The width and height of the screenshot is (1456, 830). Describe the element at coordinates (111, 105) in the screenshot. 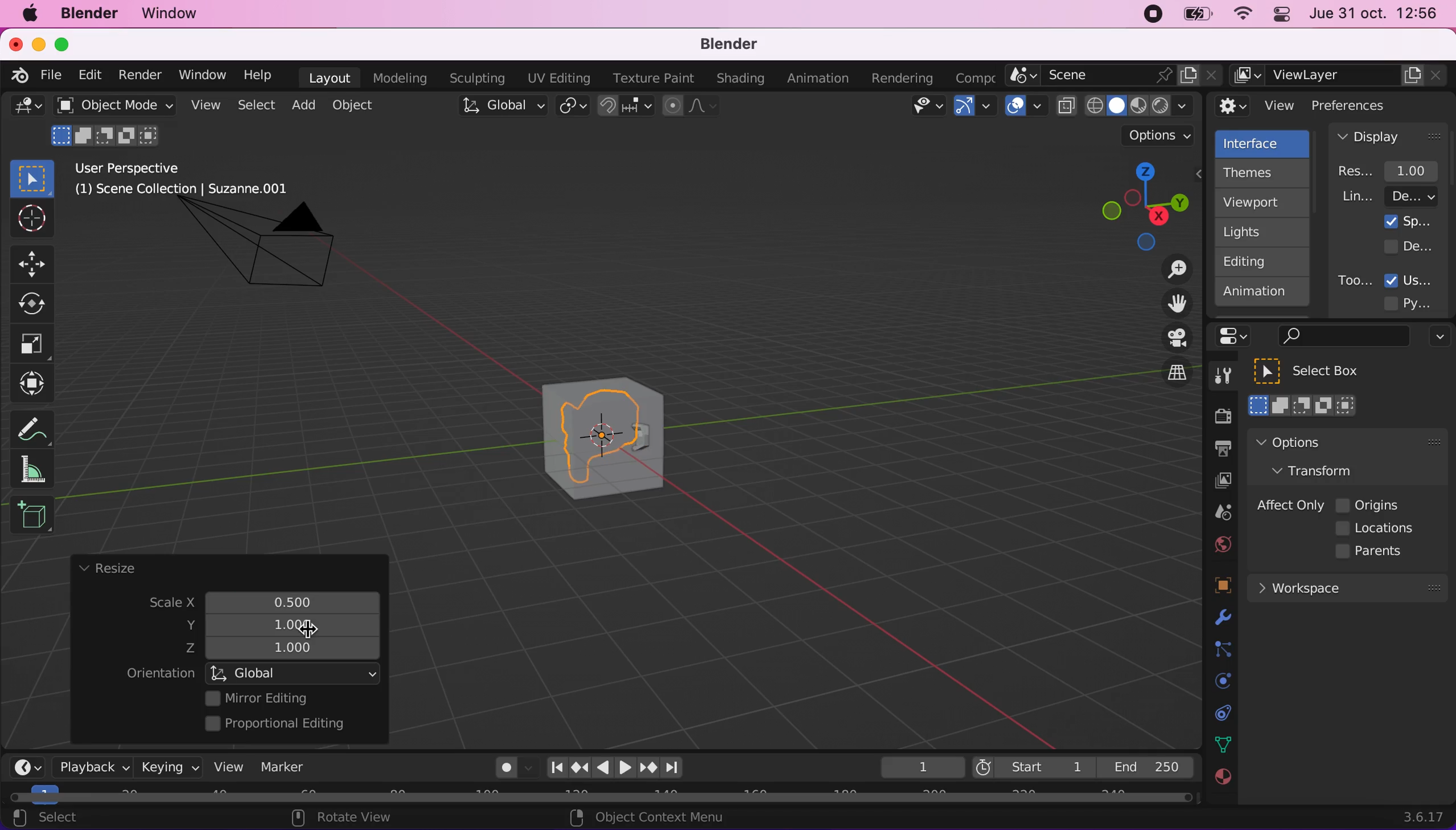

I see `object mode` at that location.